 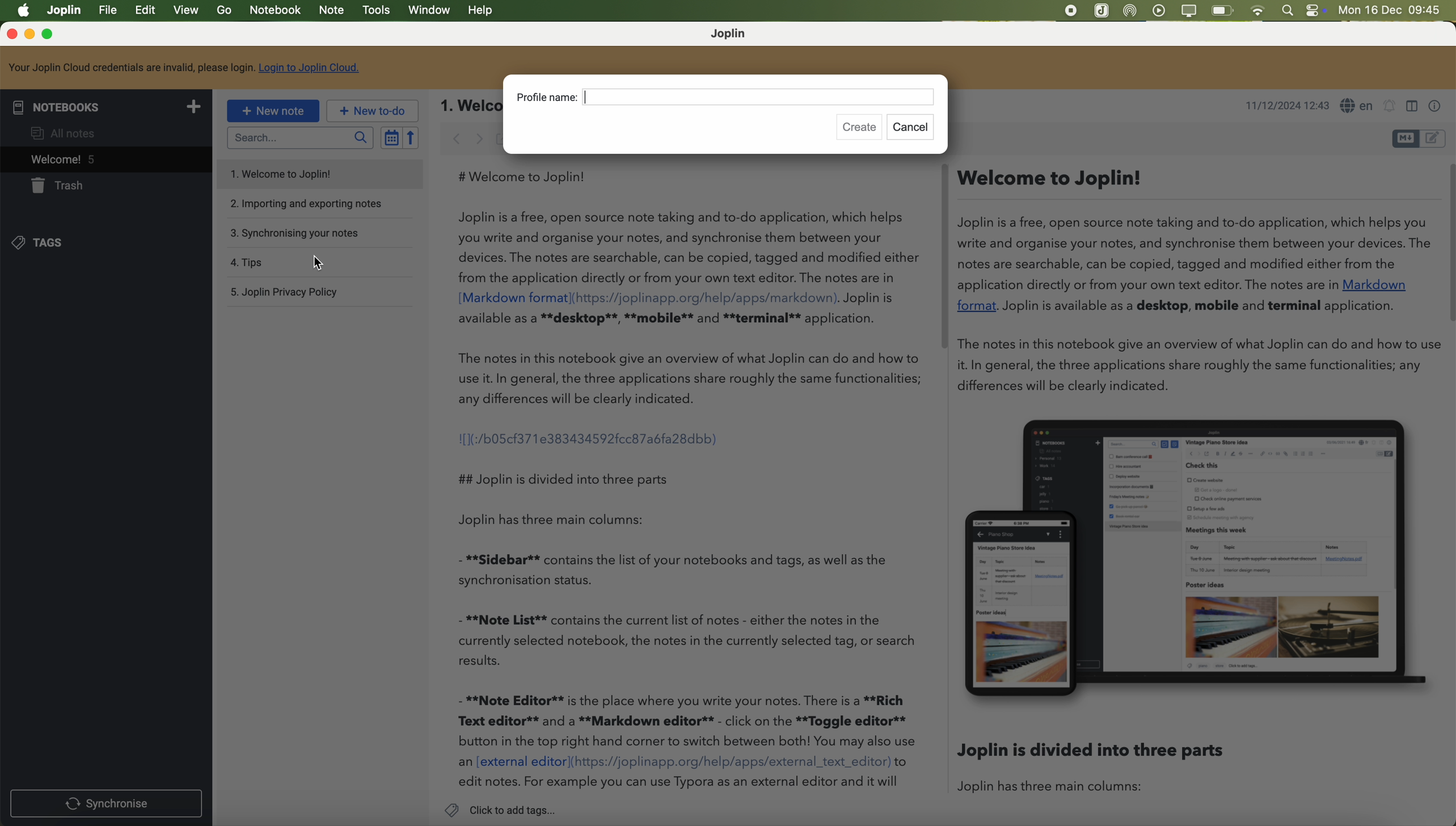 What do you see at coordinates (311, 68) in the screenshot?
I see `Login to Joplin Cloud.` at bounding box center [311, 68].